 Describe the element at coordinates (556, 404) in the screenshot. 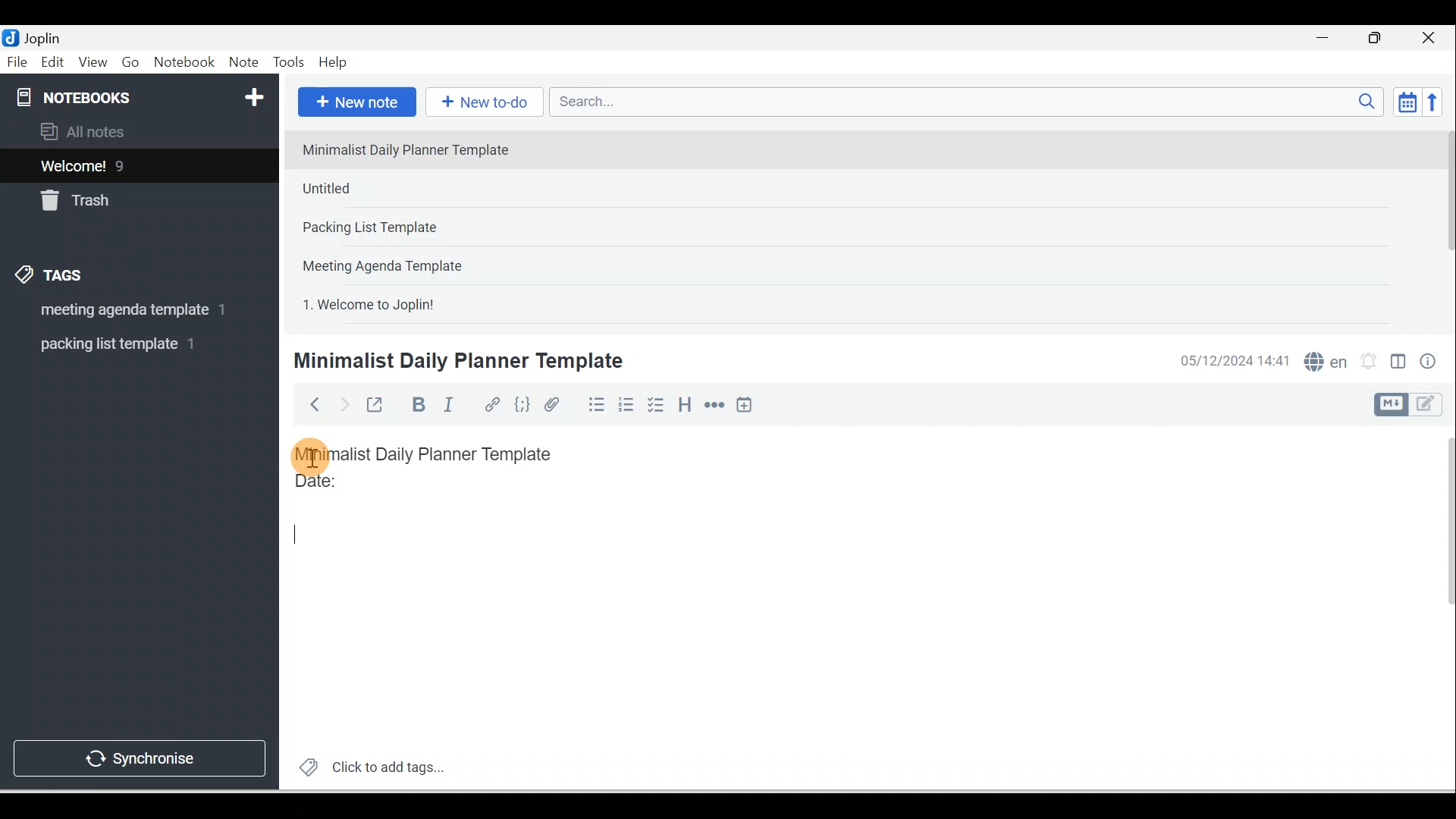

I see `Attach file` at that location.